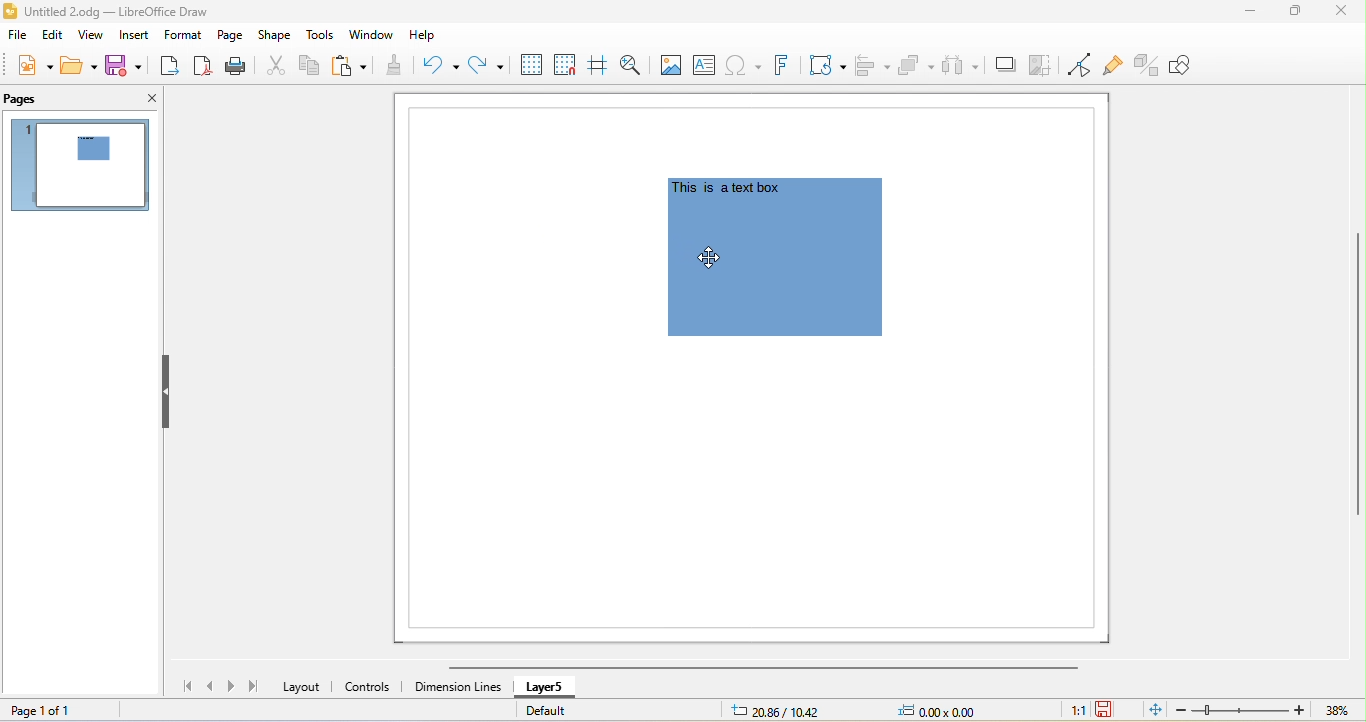  Describe the element at coordinates (548, 689) in the screenshot. I see `layer5` at that location.